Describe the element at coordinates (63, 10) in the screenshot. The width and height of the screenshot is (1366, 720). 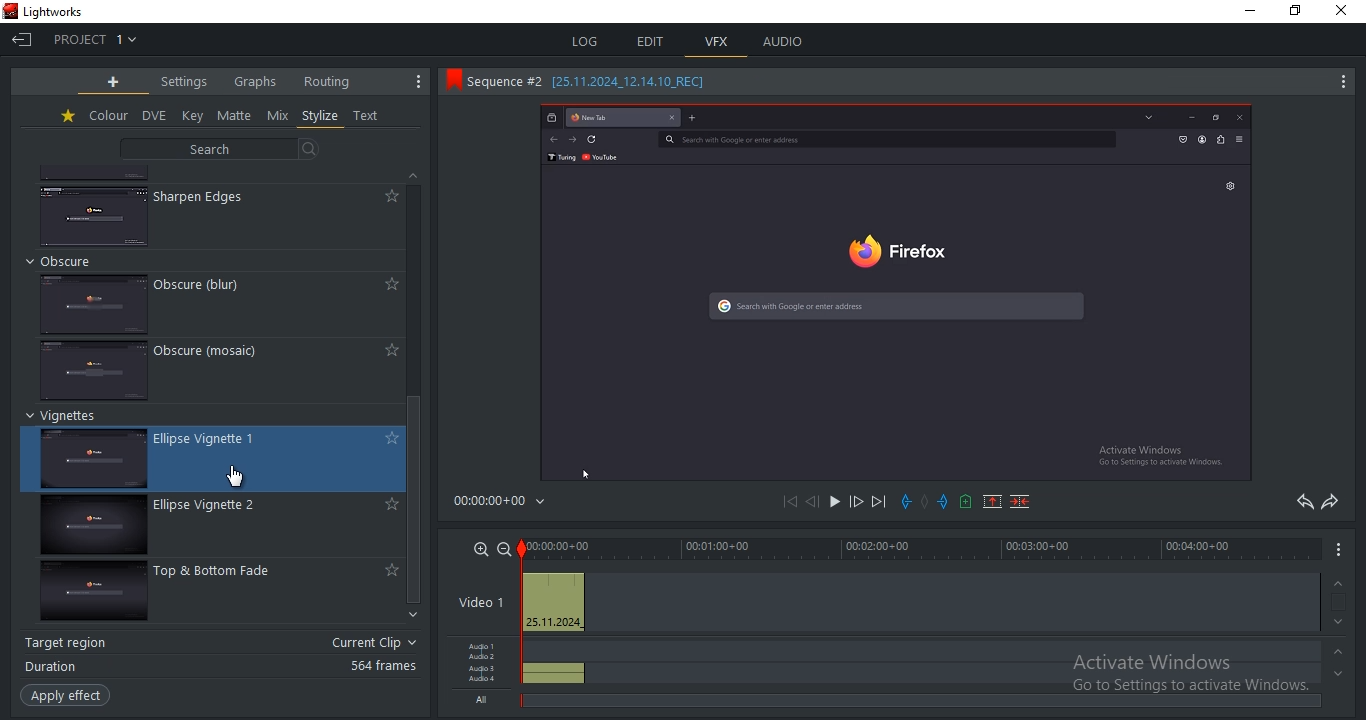
I see `Lightworks` at that location.